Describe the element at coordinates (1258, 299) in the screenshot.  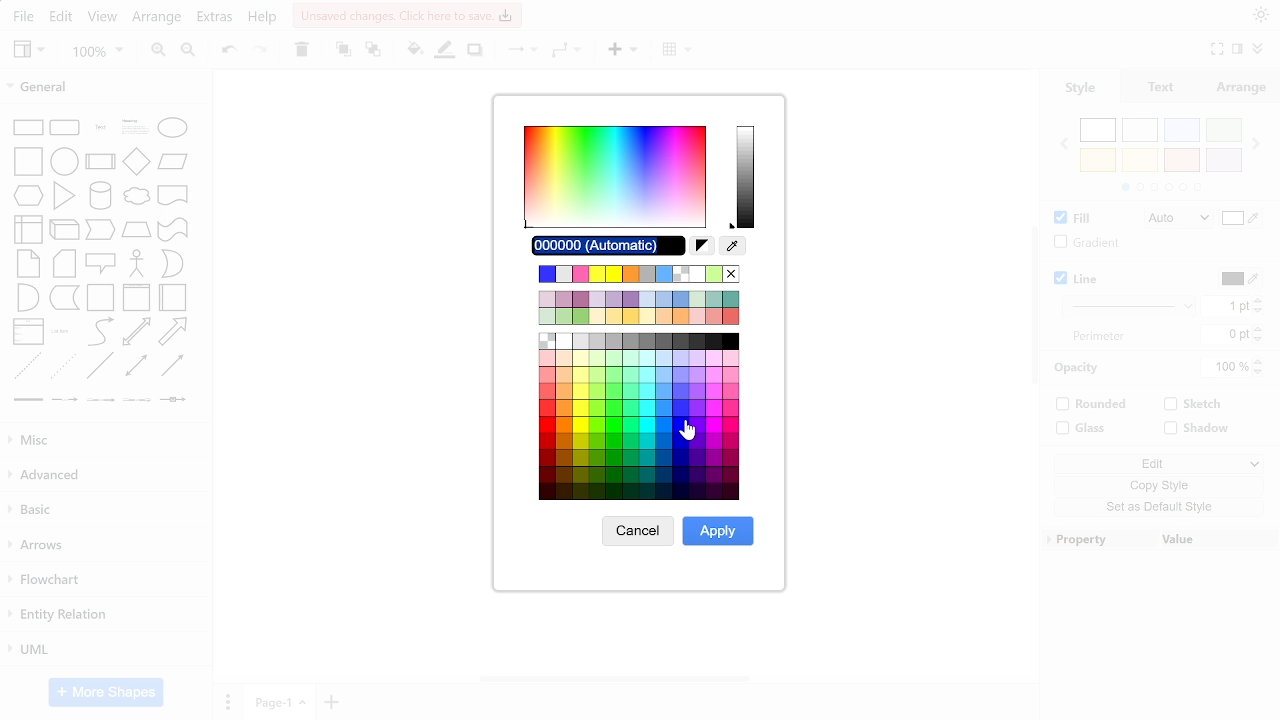
I see `increase line width` at that location.